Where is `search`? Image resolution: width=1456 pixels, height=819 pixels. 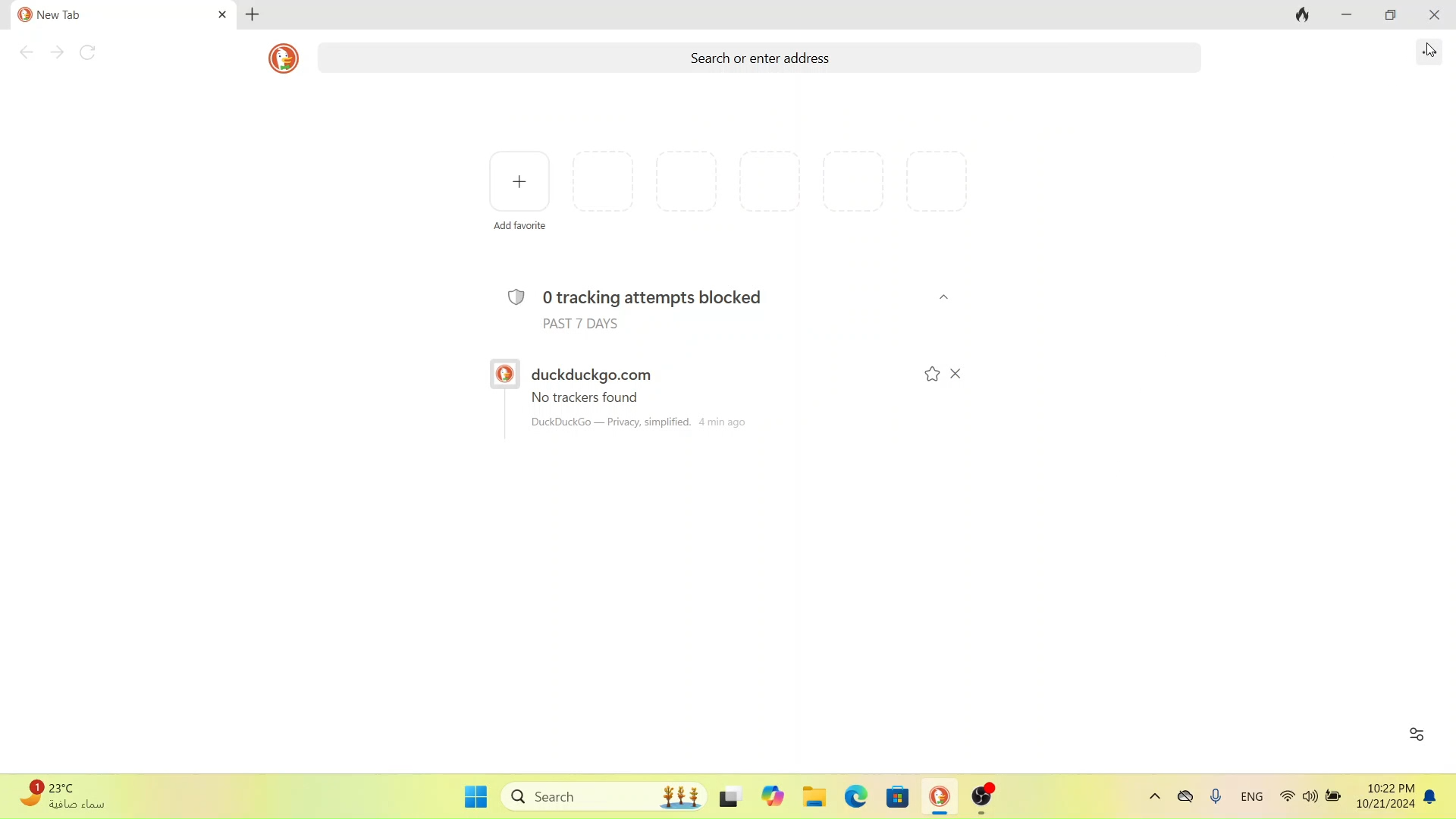 search is located at coordinates (604, 795).